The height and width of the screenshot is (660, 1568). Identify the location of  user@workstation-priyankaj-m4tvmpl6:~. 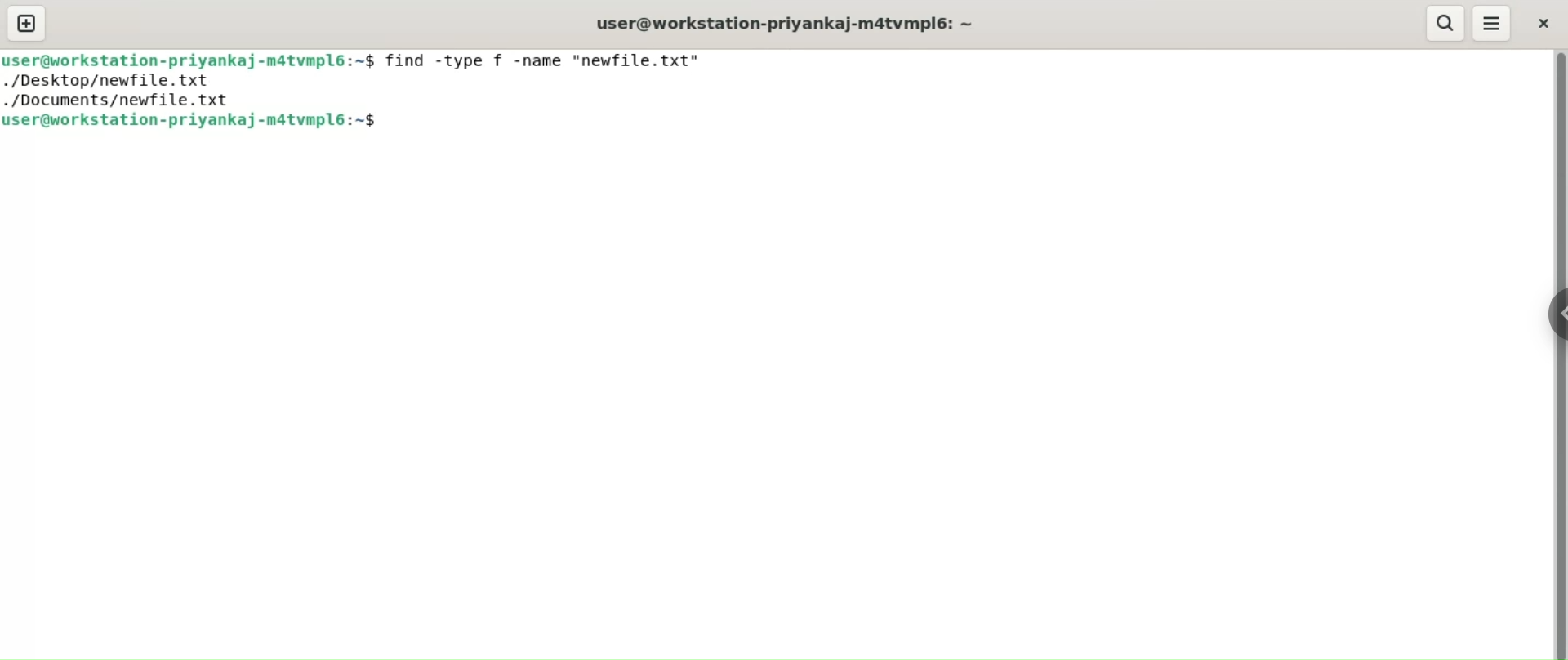
(787, 23).